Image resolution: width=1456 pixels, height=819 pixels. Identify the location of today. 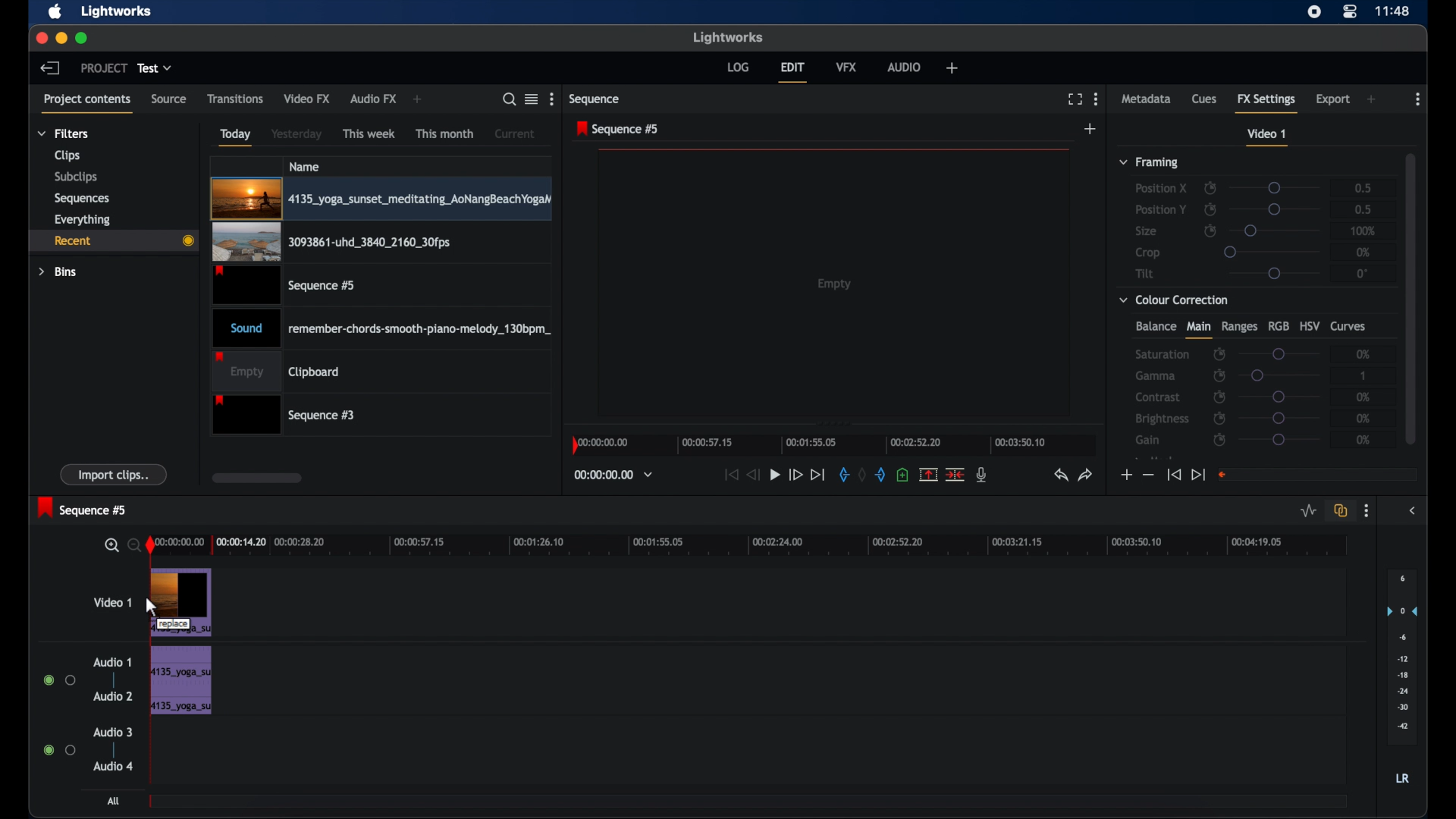
(235, 136).